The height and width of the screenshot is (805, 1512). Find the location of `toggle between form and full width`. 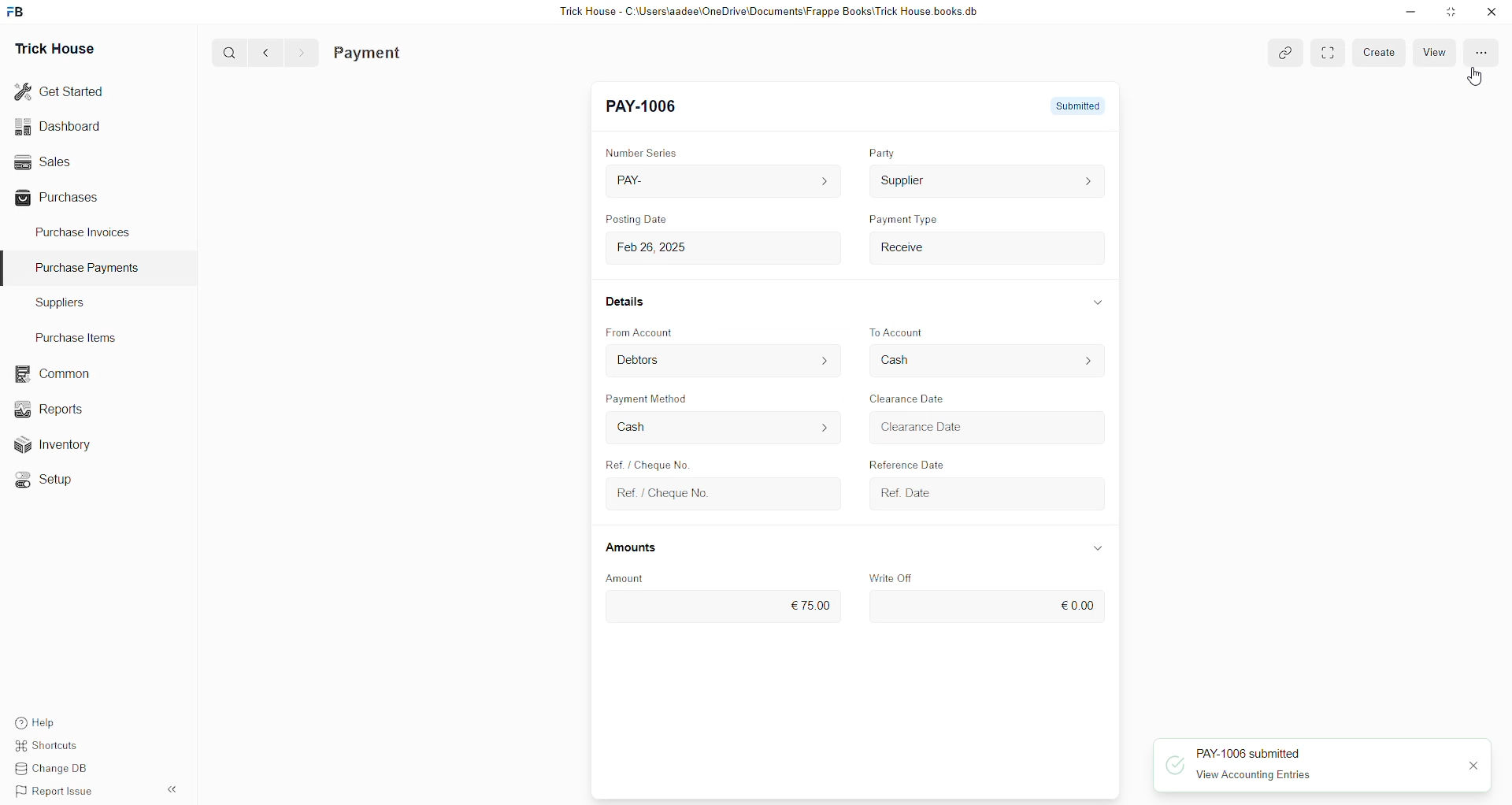

toggle between form and full width is located at coordinates (1329, 55).